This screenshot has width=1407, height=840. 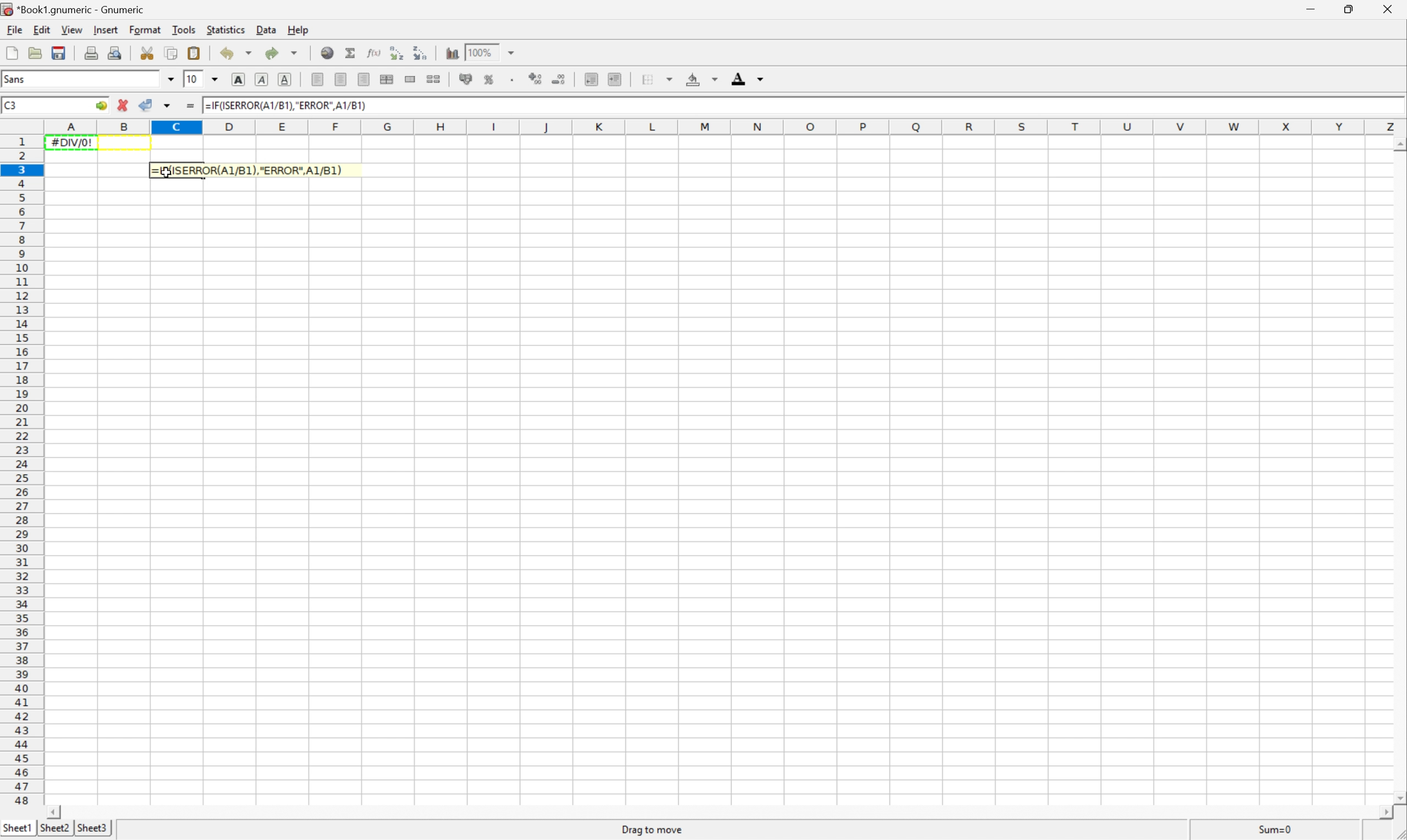 What do you see at coordinates (513, 80) in the screenshot?
I see `Set the format of the selected cells to include a thousands separator` at bounding box center [513, 80].